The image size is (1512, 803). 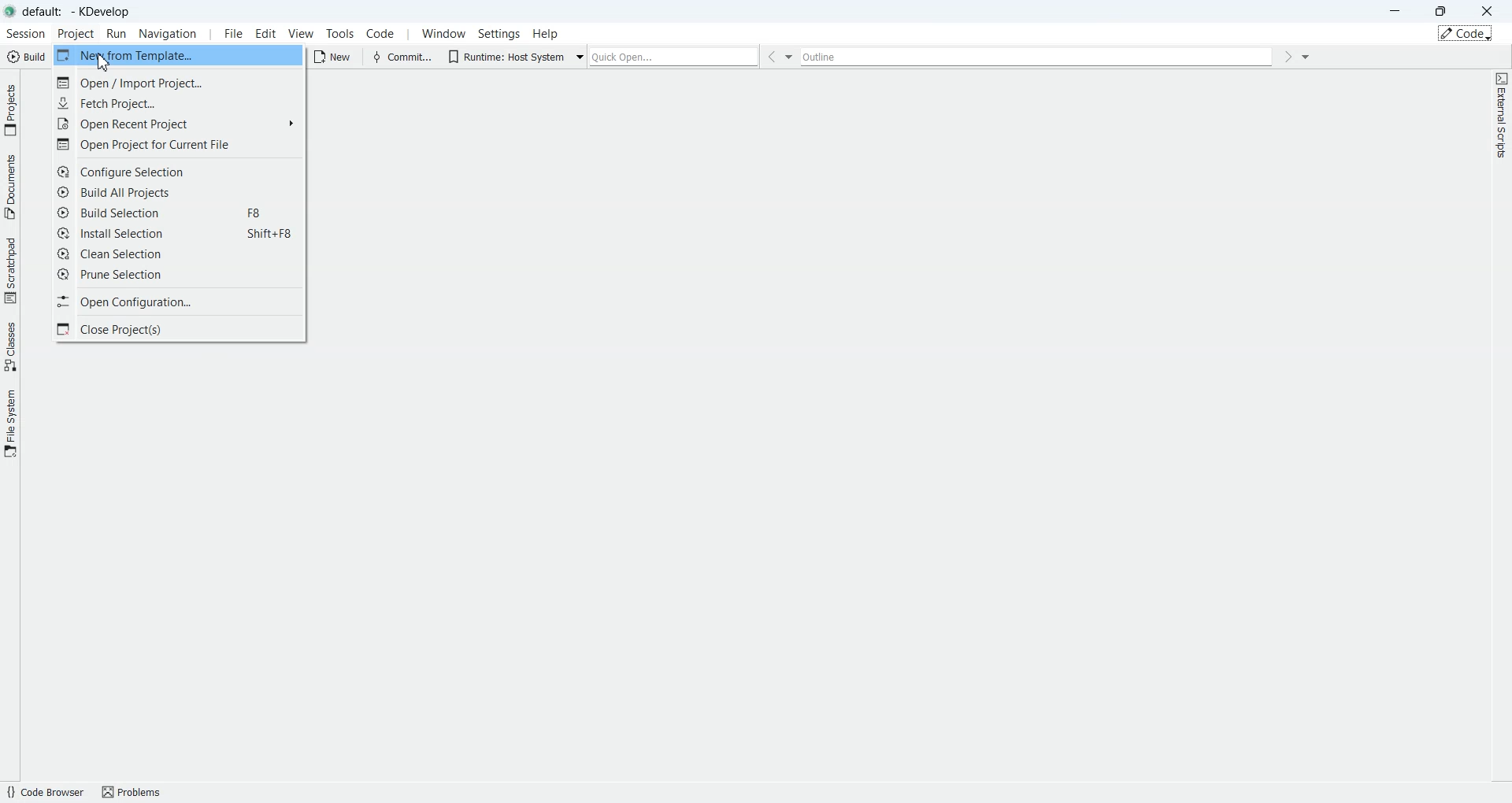 I want to click on Build All Projects, so click(x=179, y=191).